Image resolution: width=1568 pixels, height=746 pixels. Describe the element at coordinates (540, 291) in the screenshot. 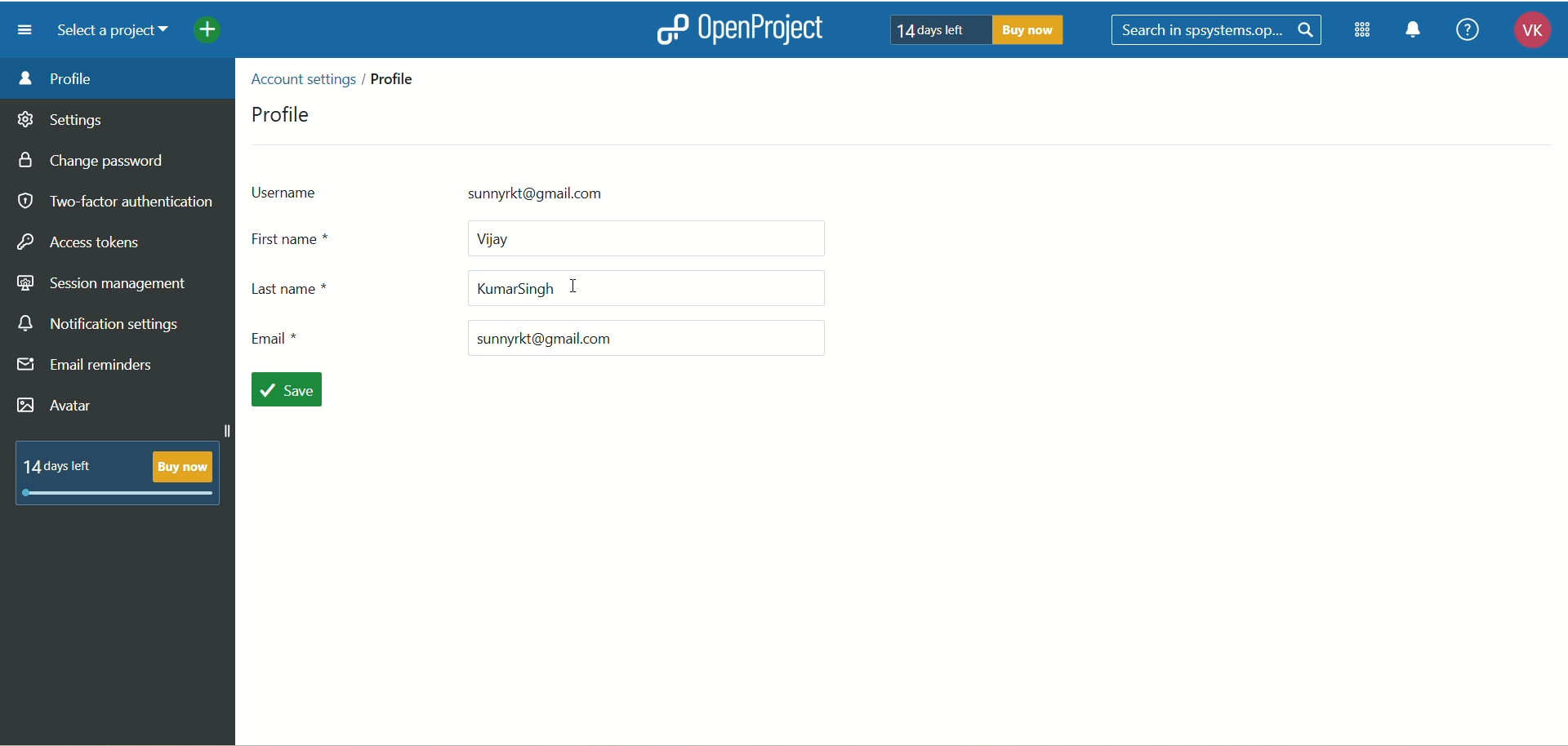

I see `last name` at that location.